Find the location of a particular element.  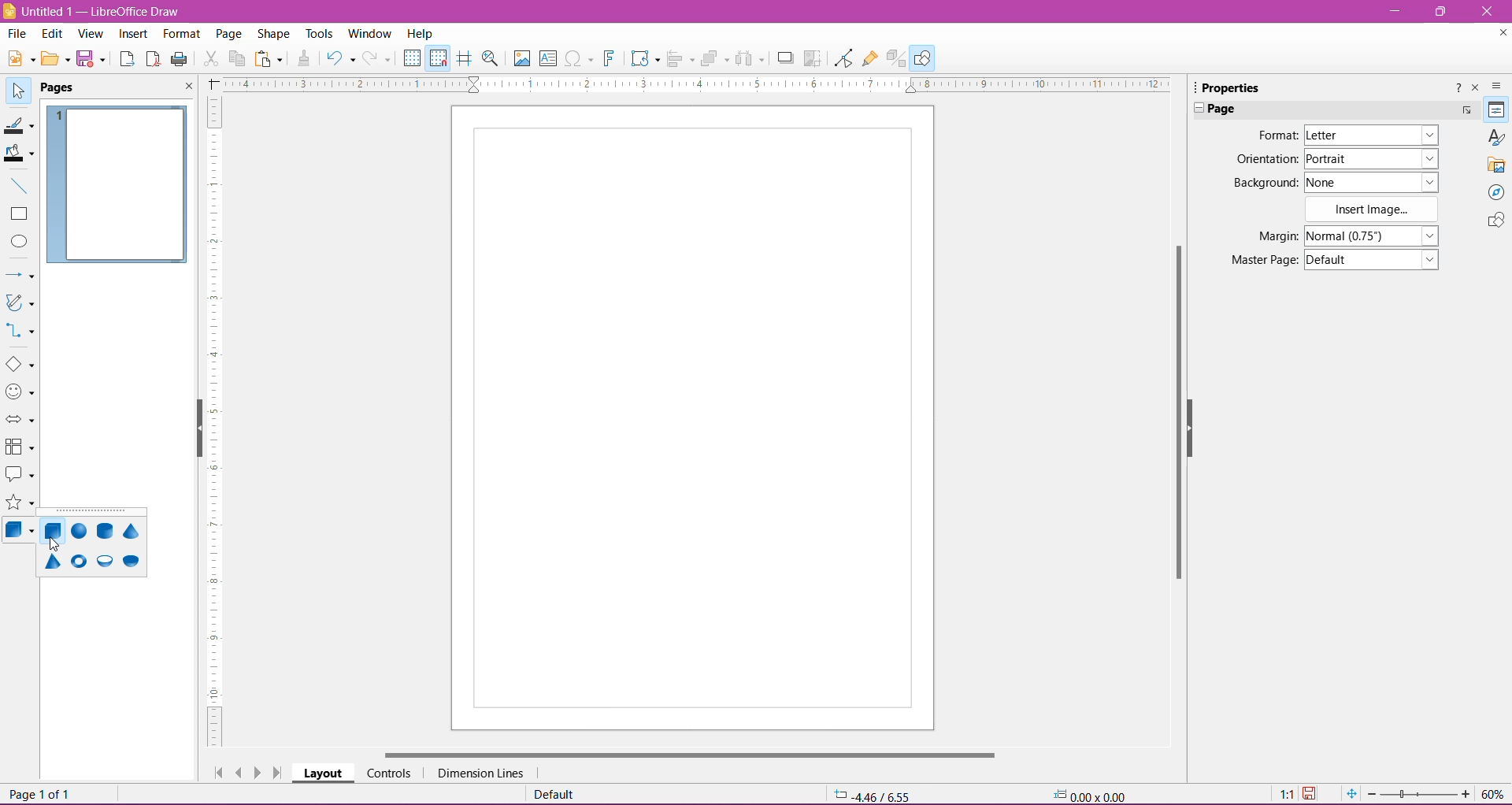

Margin is located at coordinates (1273, 236).